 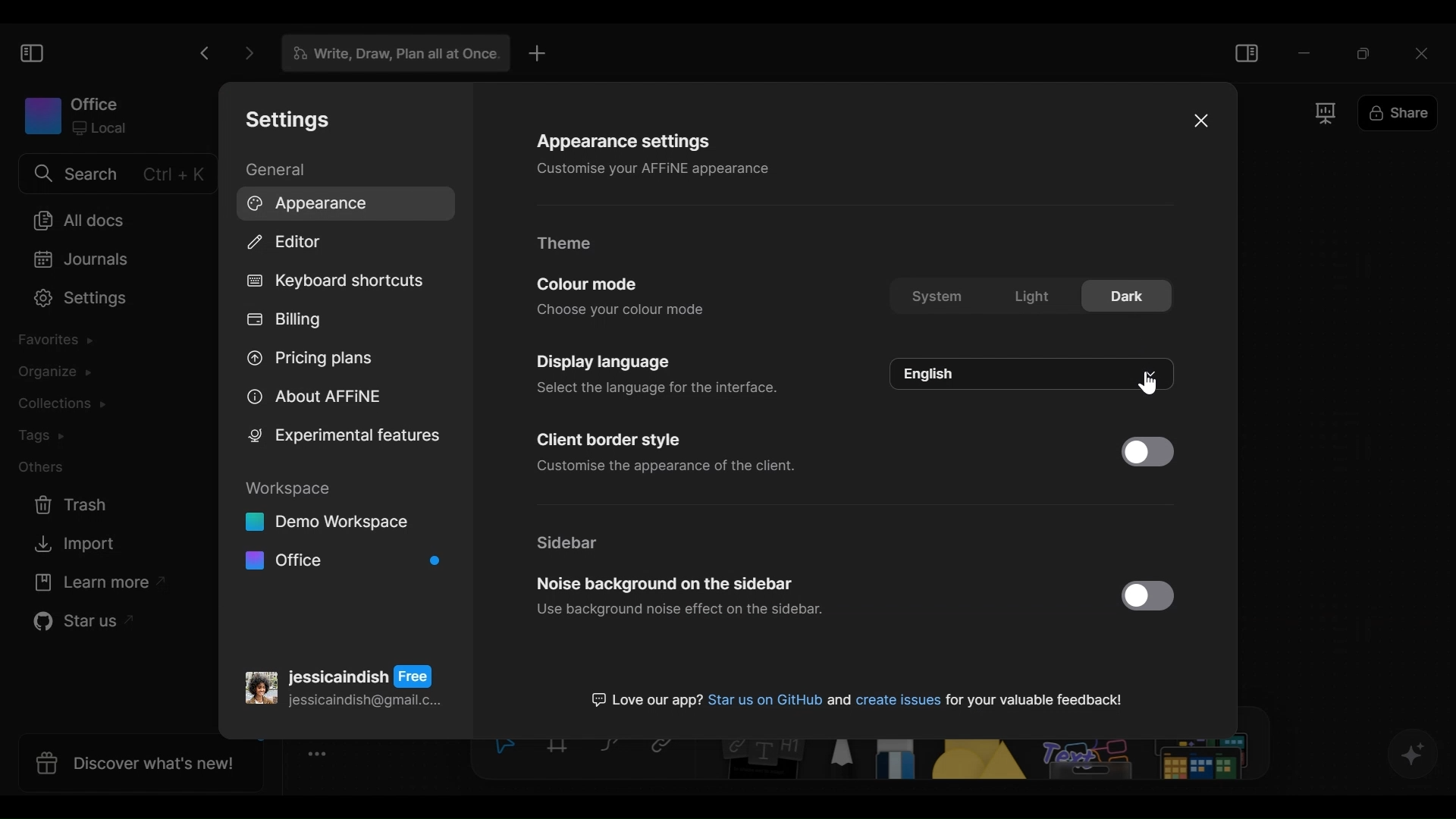 What do you see at coordinates (46, 436) in the screenshot?
I see `Tags` at bounding box center [46, 436].